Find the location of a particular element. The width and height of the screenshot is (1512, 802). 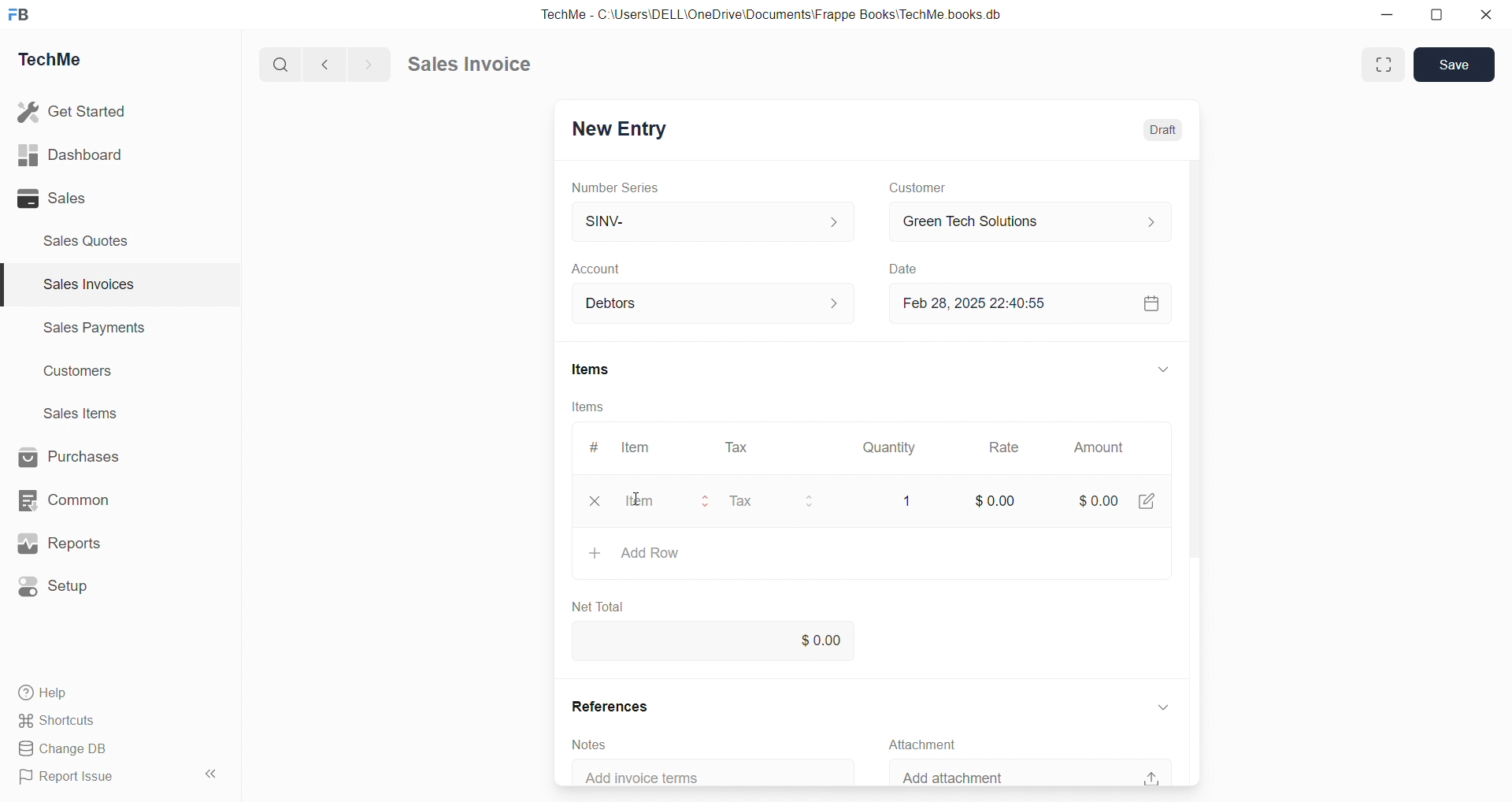

Quantity is located at coordinates (889, 448).